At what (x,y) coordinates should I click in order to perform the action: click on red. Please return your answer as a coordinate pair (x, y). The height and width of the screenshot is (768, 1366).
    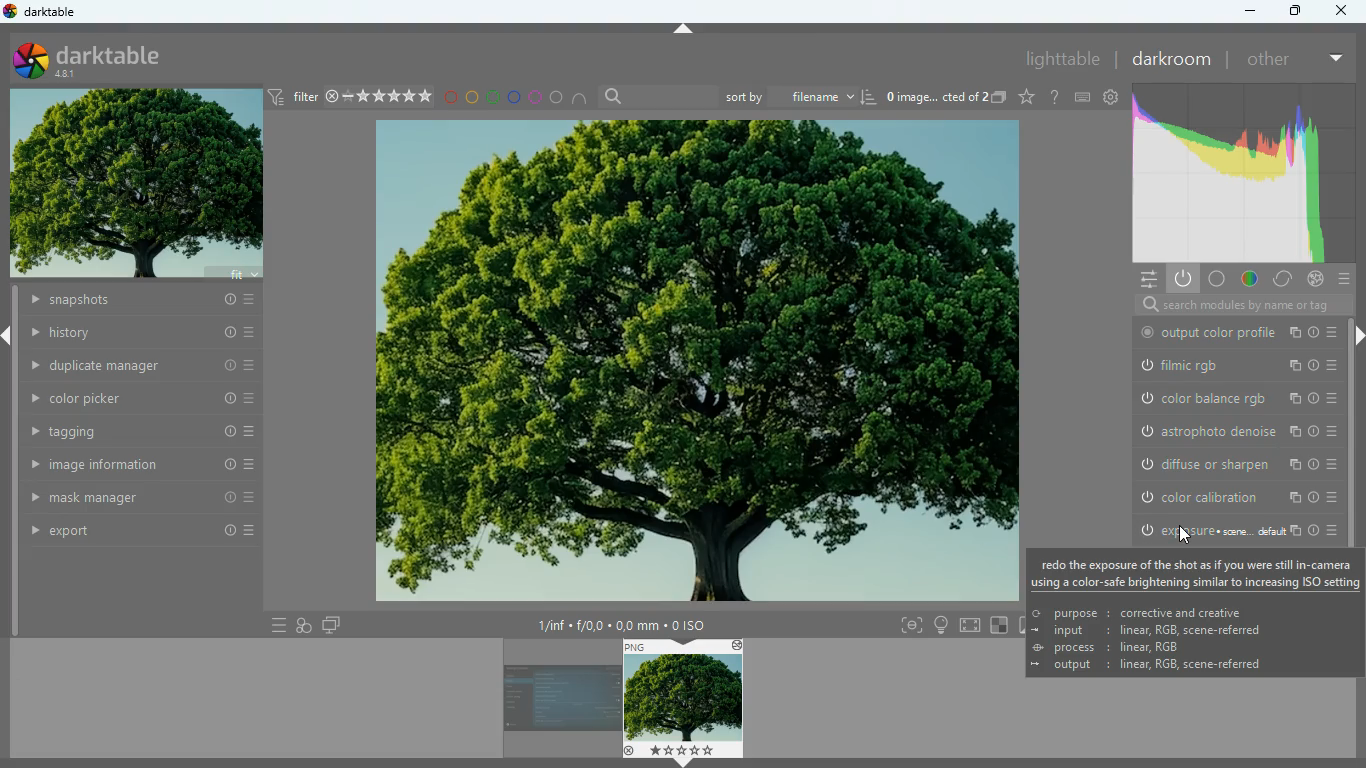
    Looking at the image, I should click on (450, 100).